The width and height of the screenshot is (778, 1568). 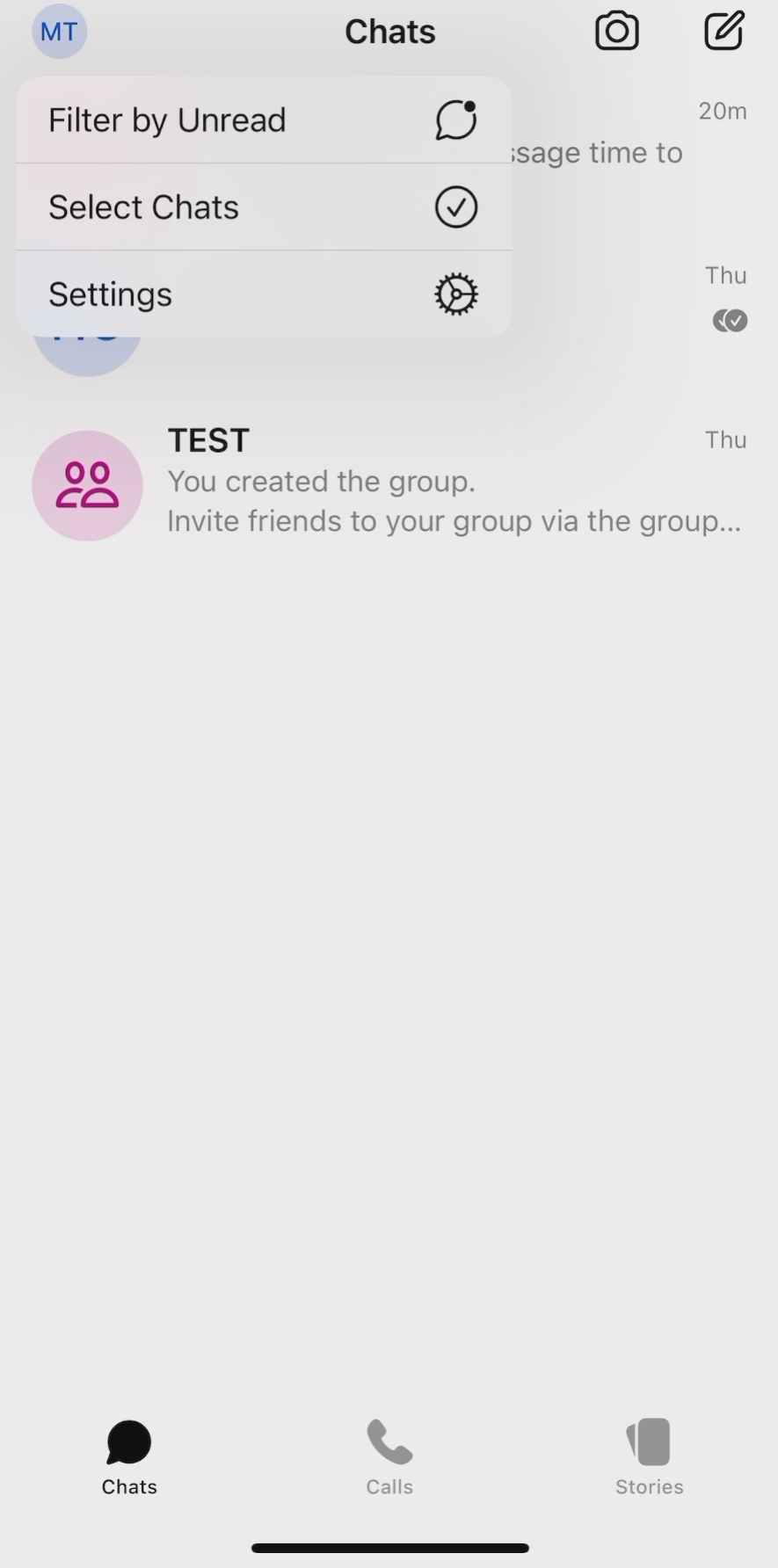 What do you see at coordinates (730, 295) in the screenshot?
I see `text` at bounding box center [730, 295].